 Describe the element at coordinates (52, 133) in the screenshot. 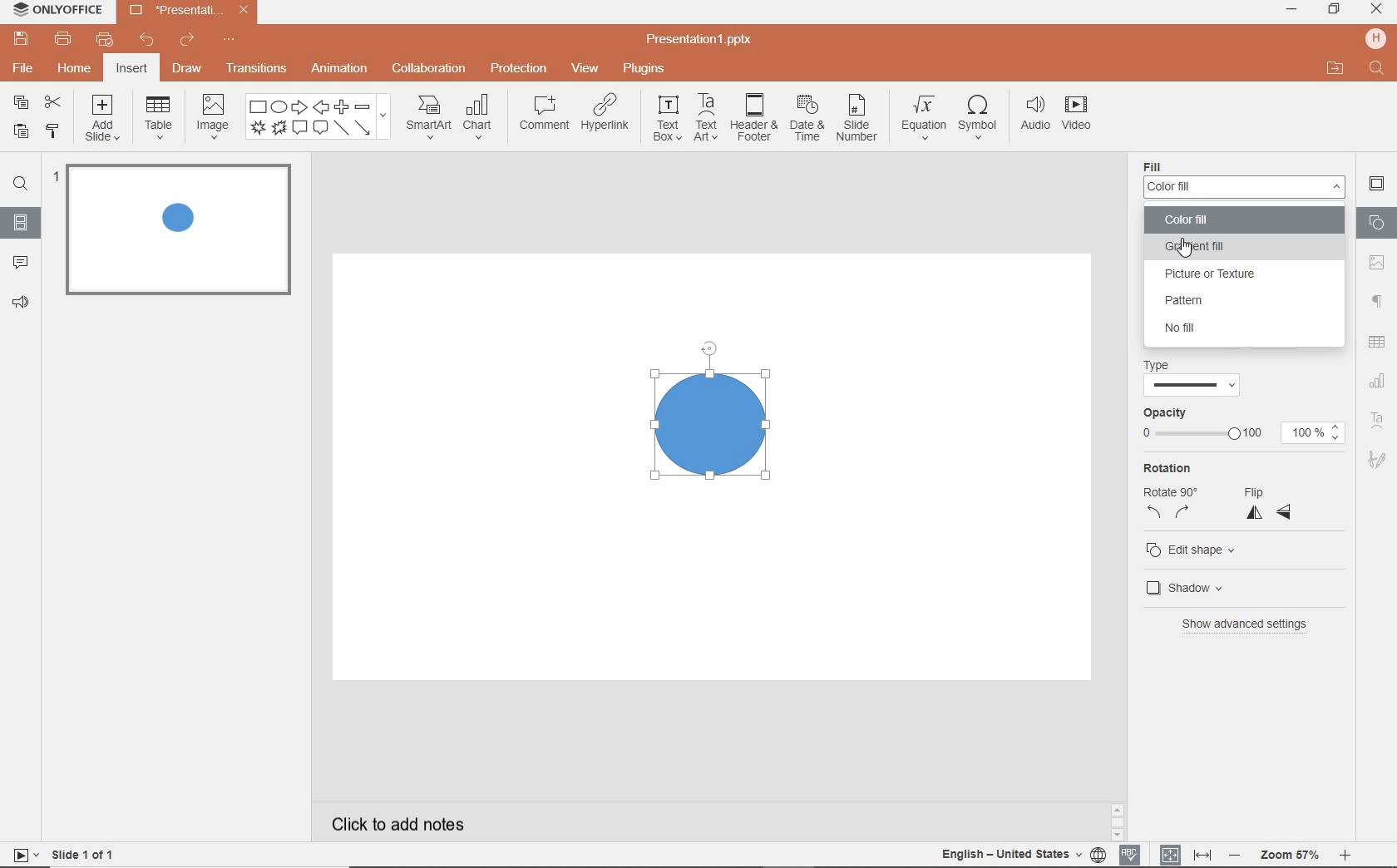

I see `copy style` at that location.